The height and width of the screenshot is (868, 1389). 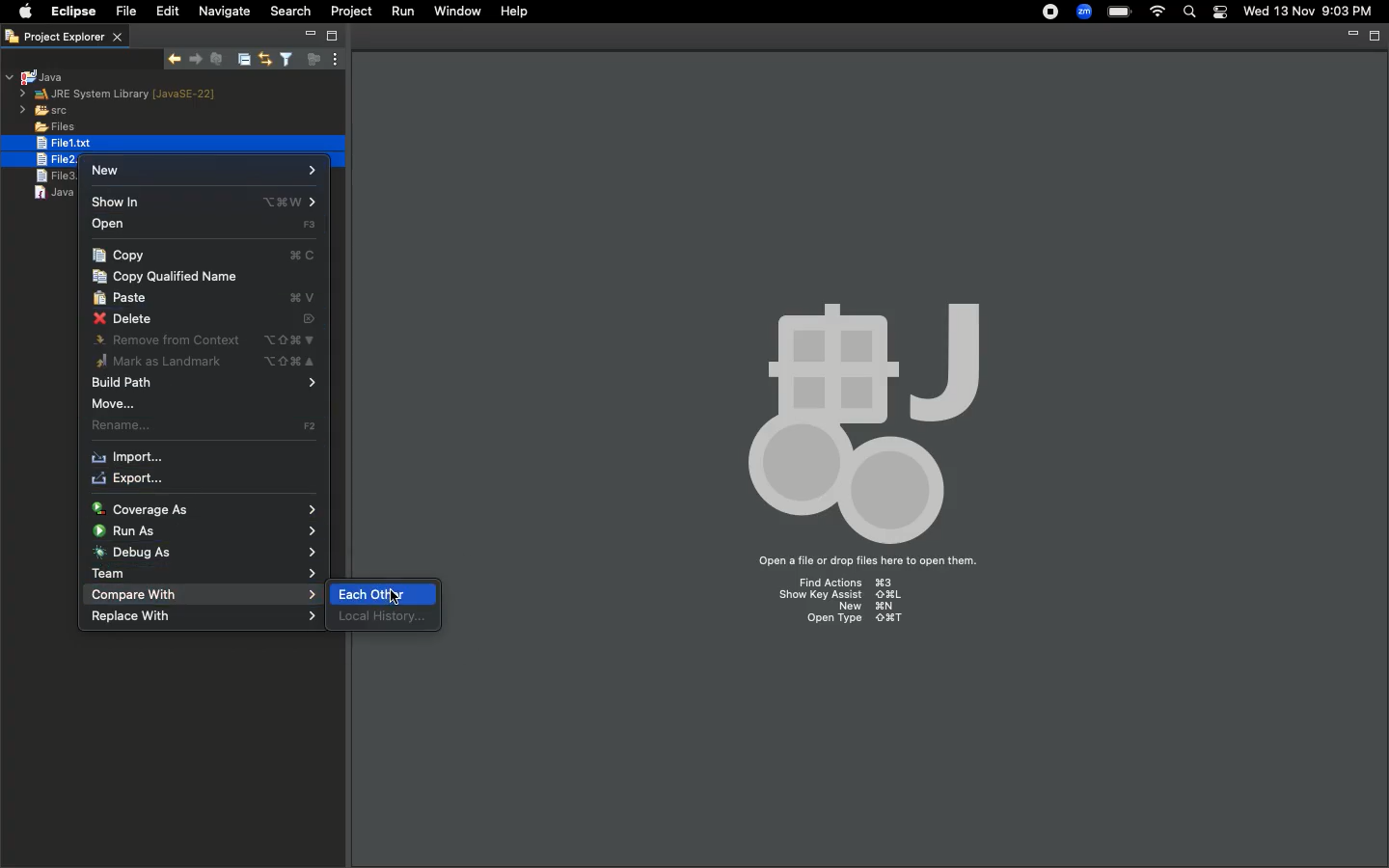 What do you see at coordinates (41, 179) in the screenshot?
I see `file3.text` at bounding box center [41, 179].